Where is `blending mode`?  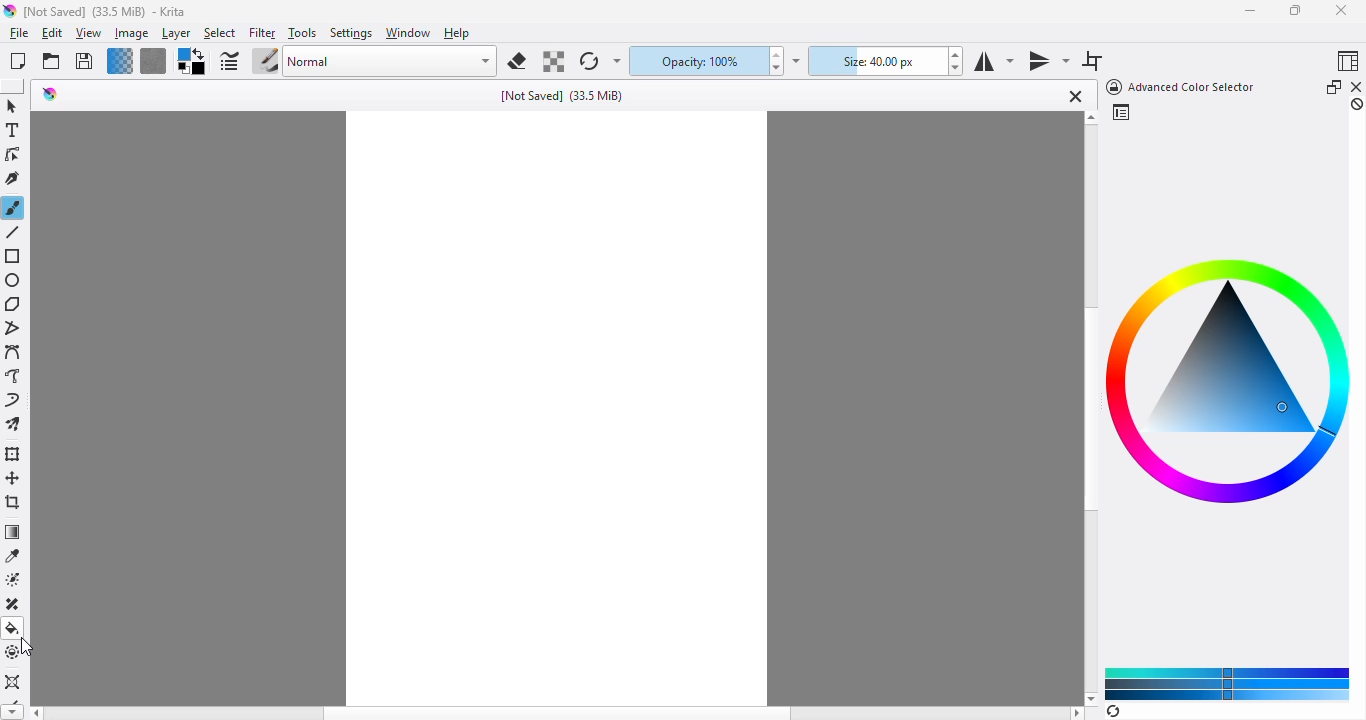
blending mode is located at coordinates (391, 62).